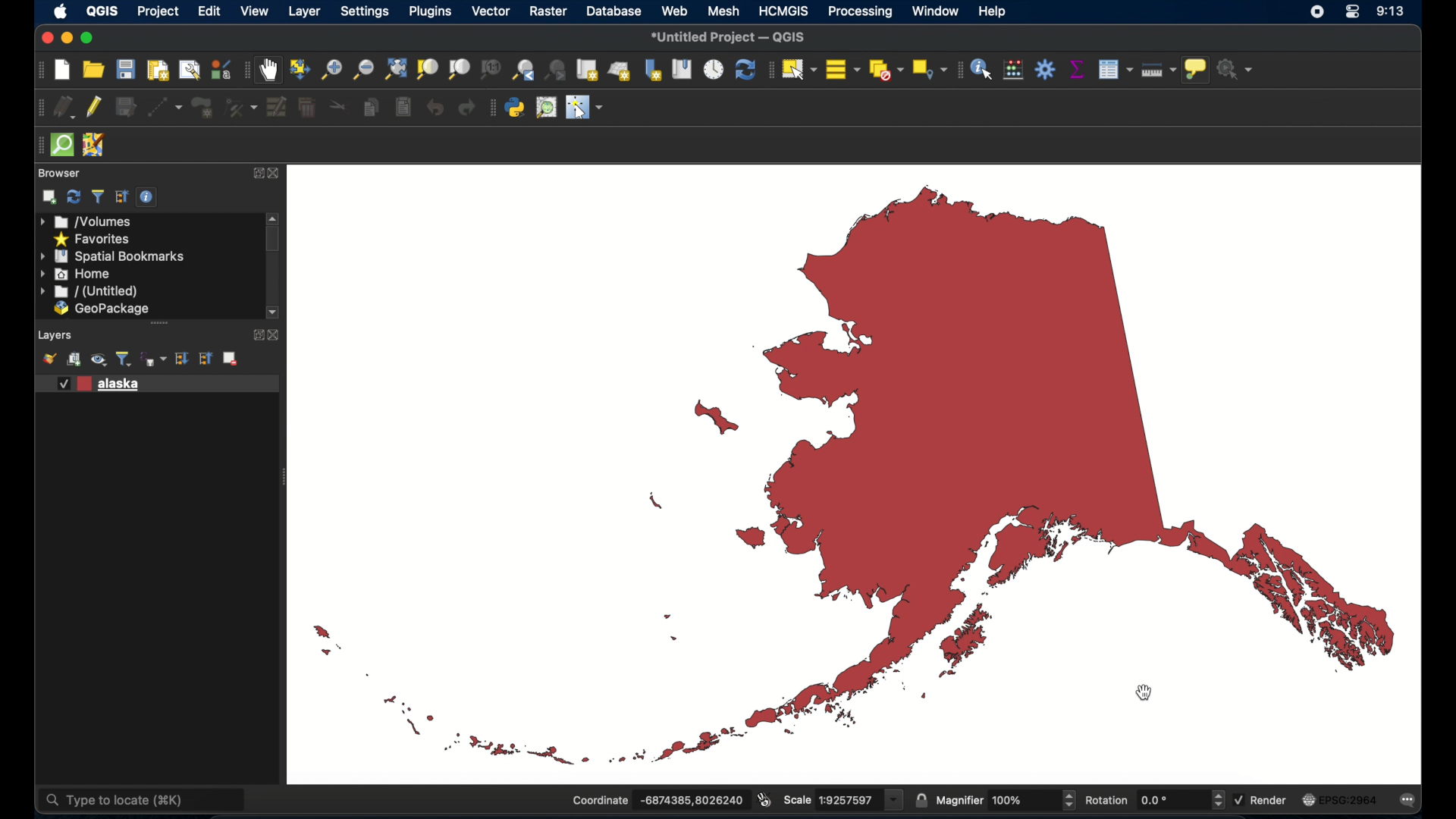 The width and height of the screenshot is (1456, 819). Describe the element at coordinates (861, 473) in the screenshot. I see `vector map of Alaska` at that location.